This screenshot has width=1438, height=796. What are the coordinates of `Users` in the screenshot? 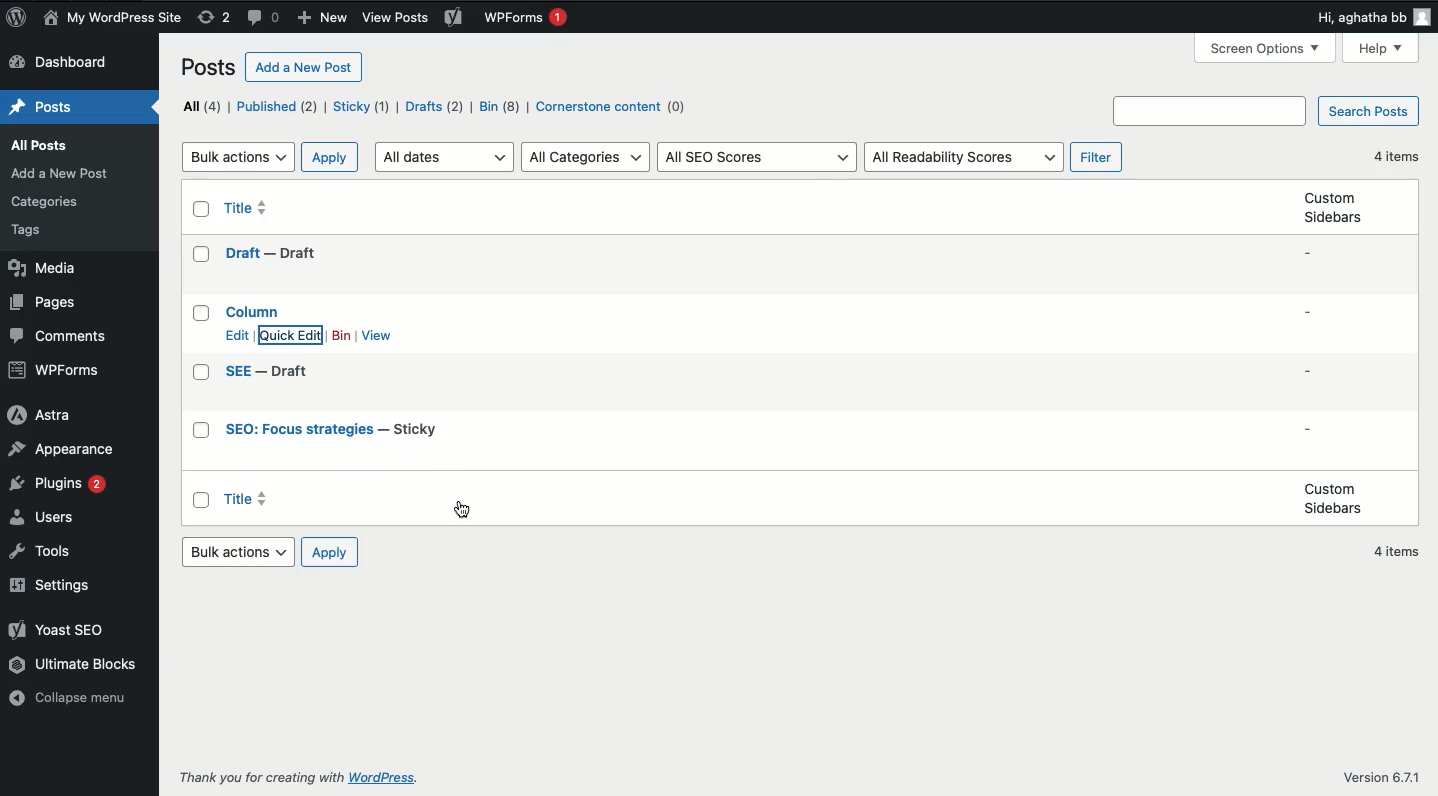 It's located at (44, 519).